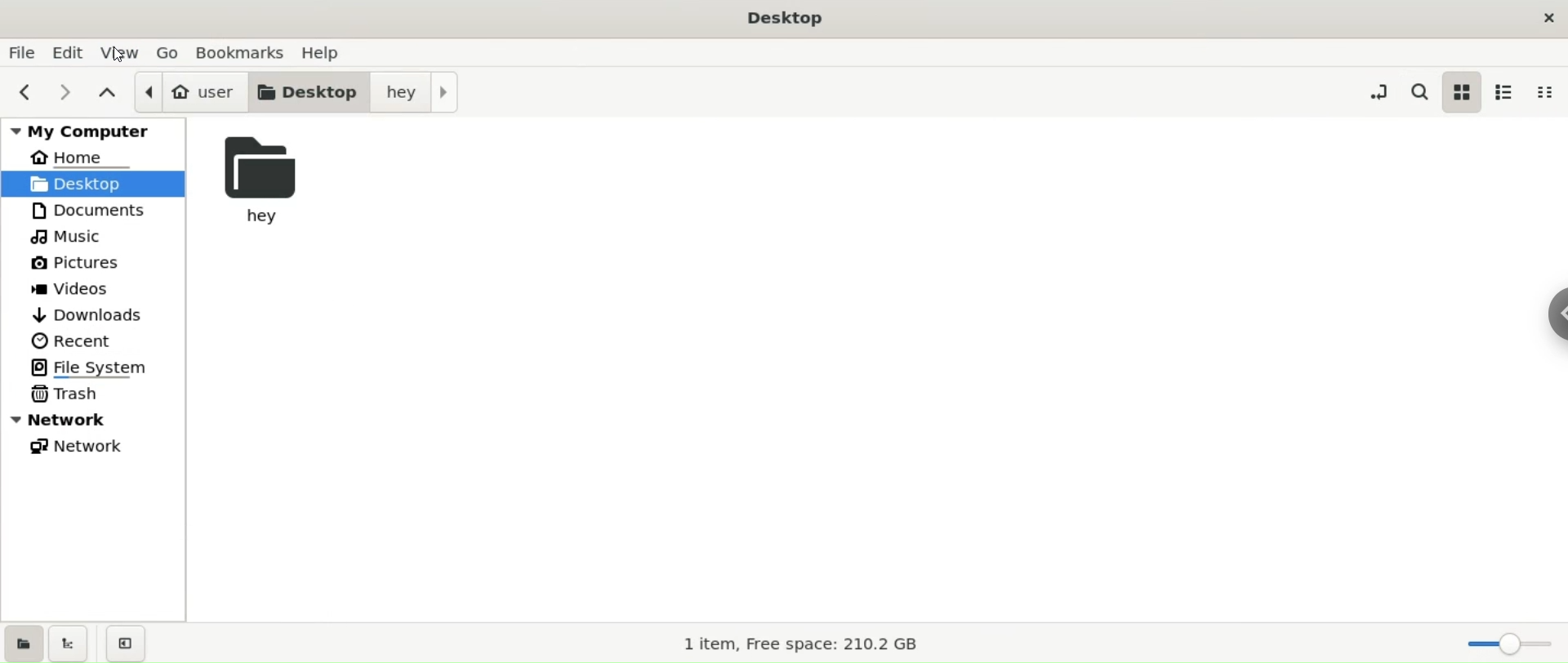 The width and height of the screenshot is (1568, 663). What do you see at coordinates (1545, 16) in the screenshot?
I see `close` at bounding box center [1545, 16].